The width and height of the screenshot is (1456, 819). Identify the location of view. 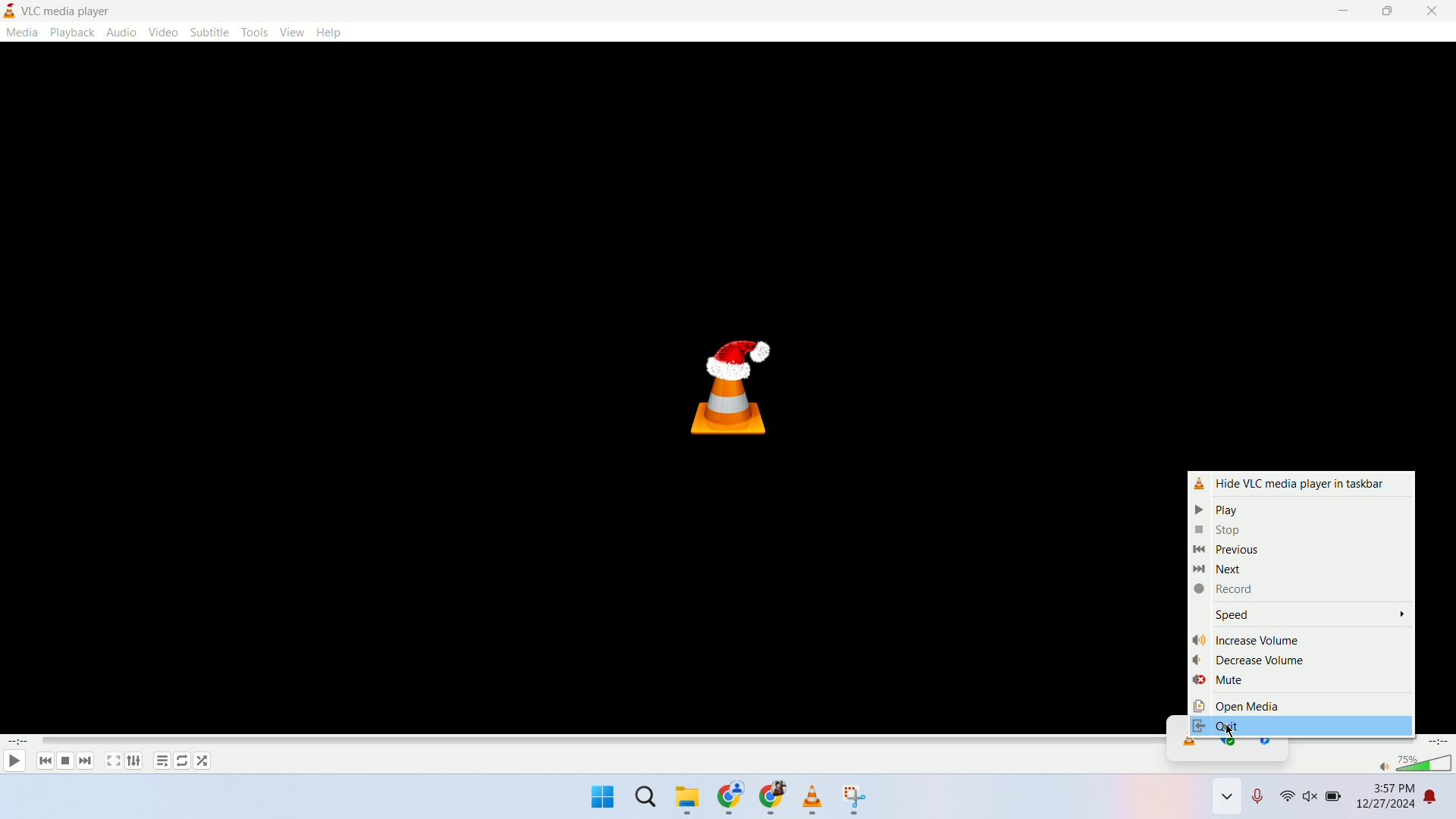
(293, 33).